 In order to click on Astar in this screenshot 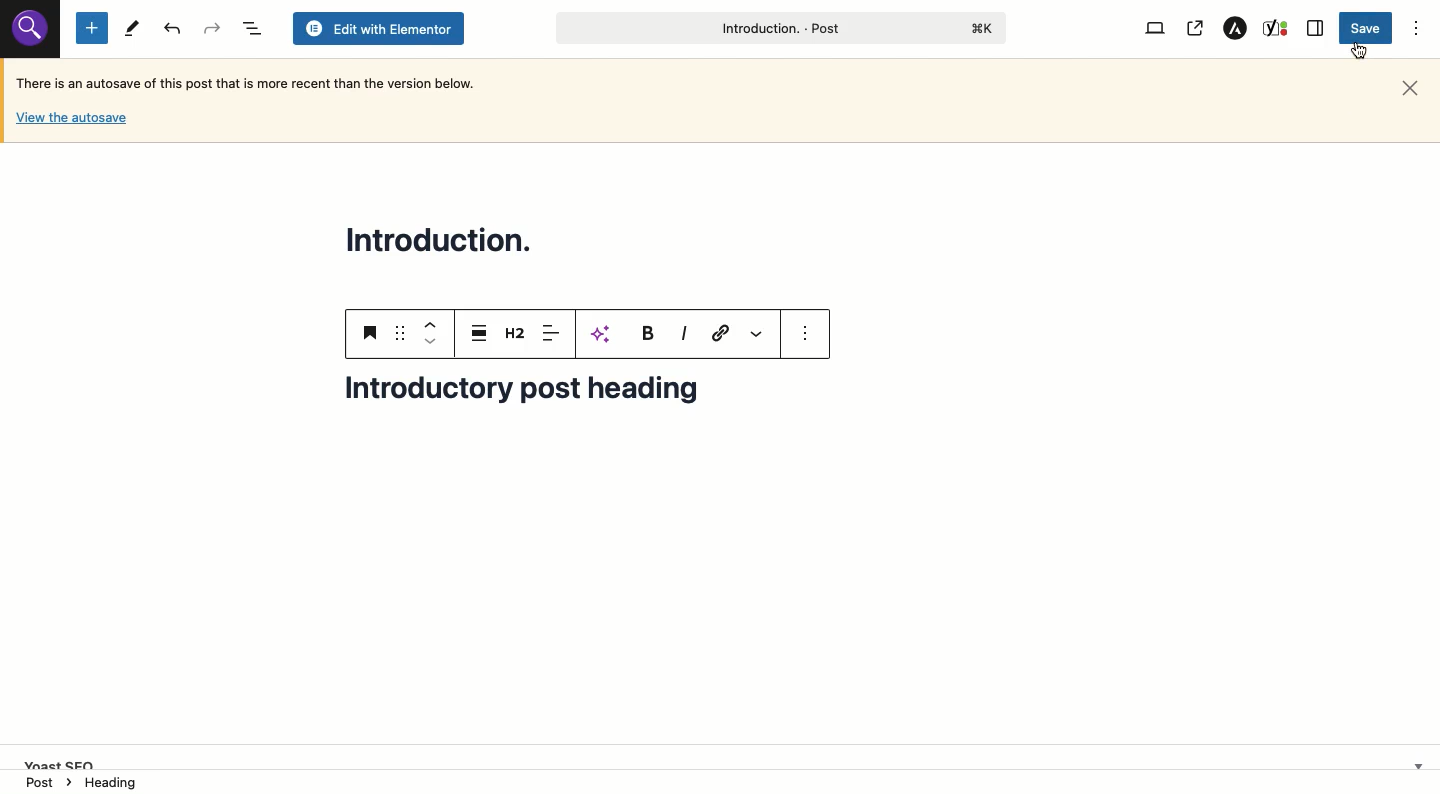, I will do `click(1236, 29)`.